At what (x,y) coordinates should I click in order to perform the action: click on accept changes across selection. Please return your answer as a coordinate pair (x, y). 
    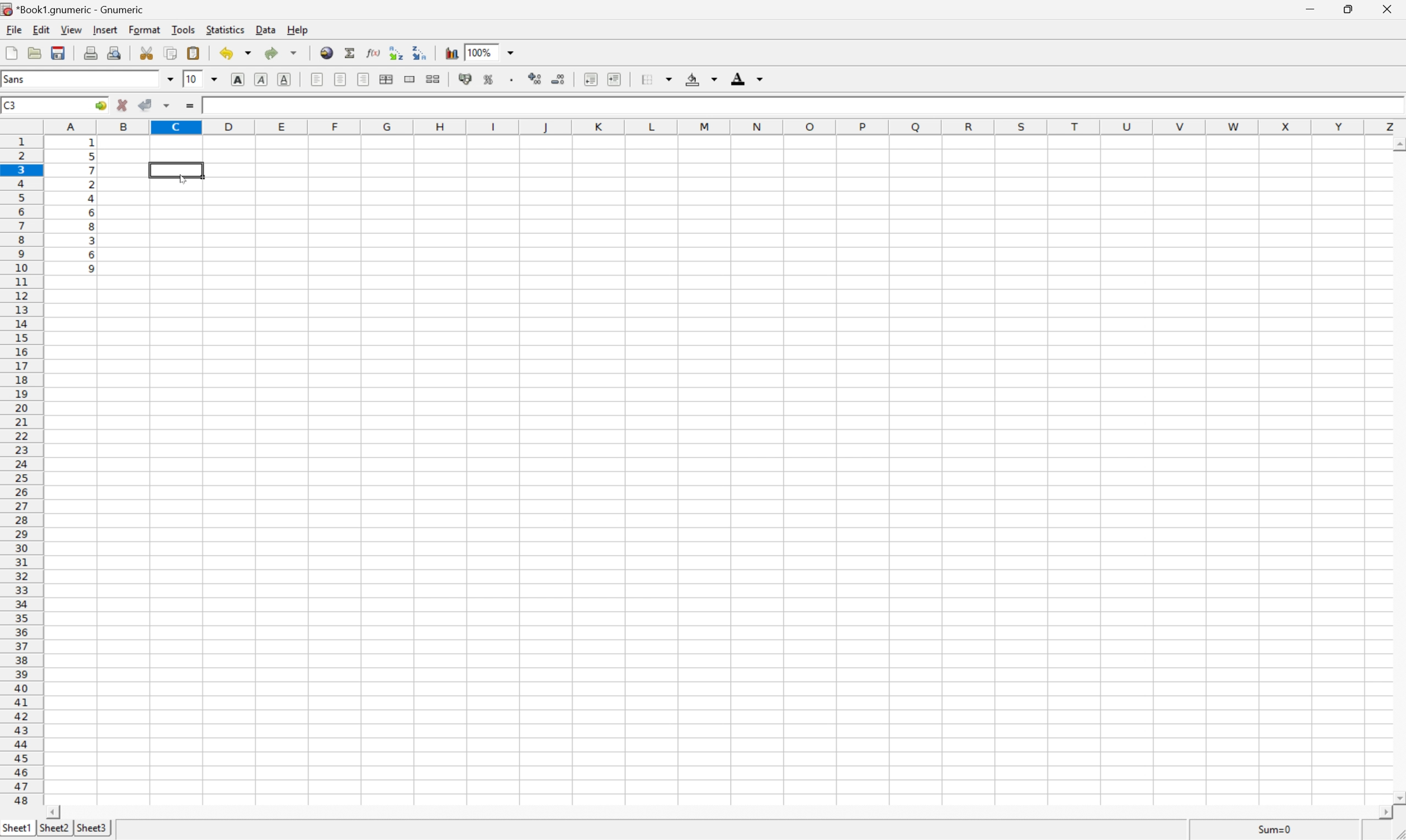
    Looking at the image, I should click on (169, 106).